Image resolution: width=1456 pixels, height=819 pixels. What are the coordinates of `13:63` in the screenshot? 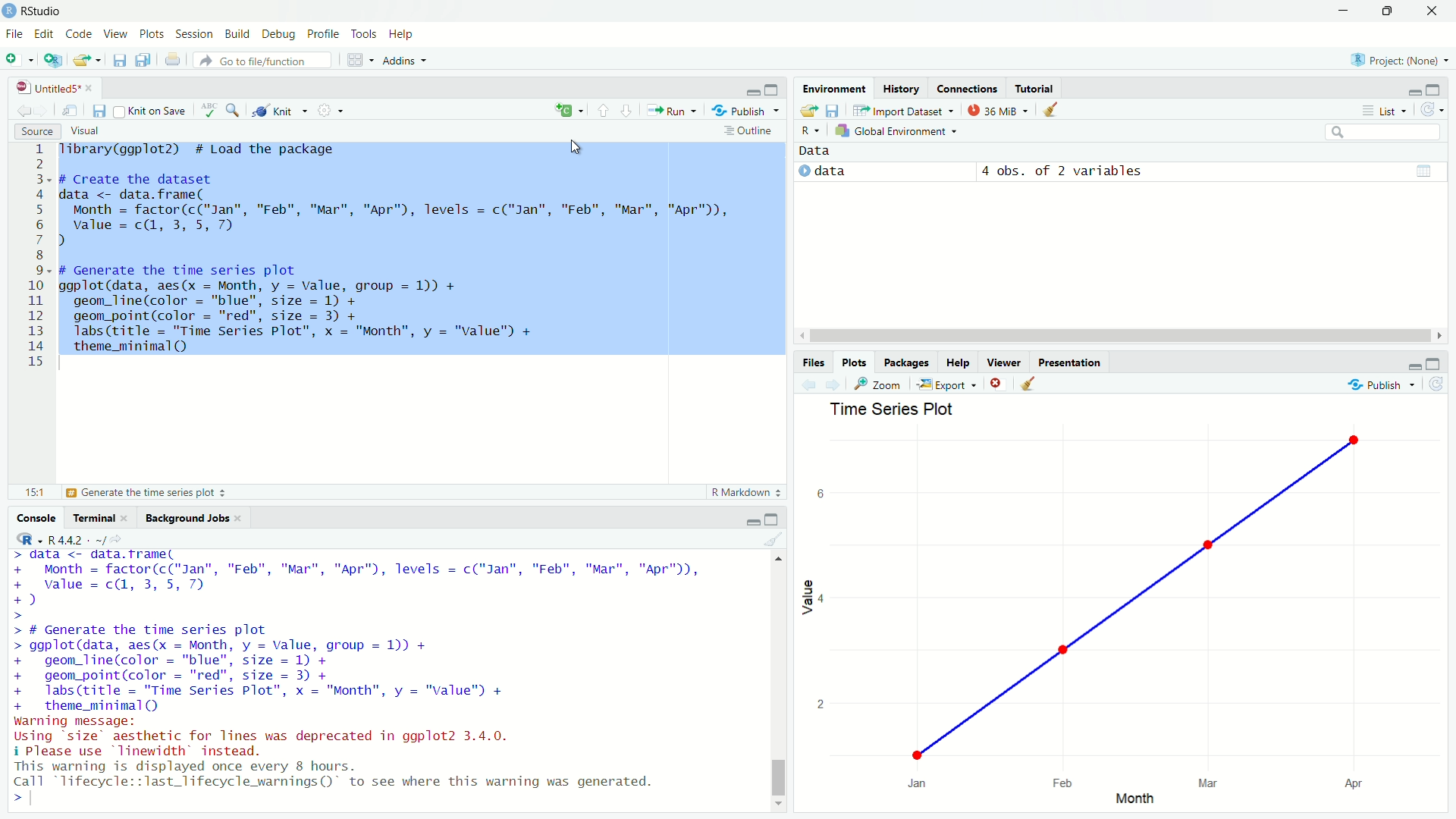 It's located at (27, 492).